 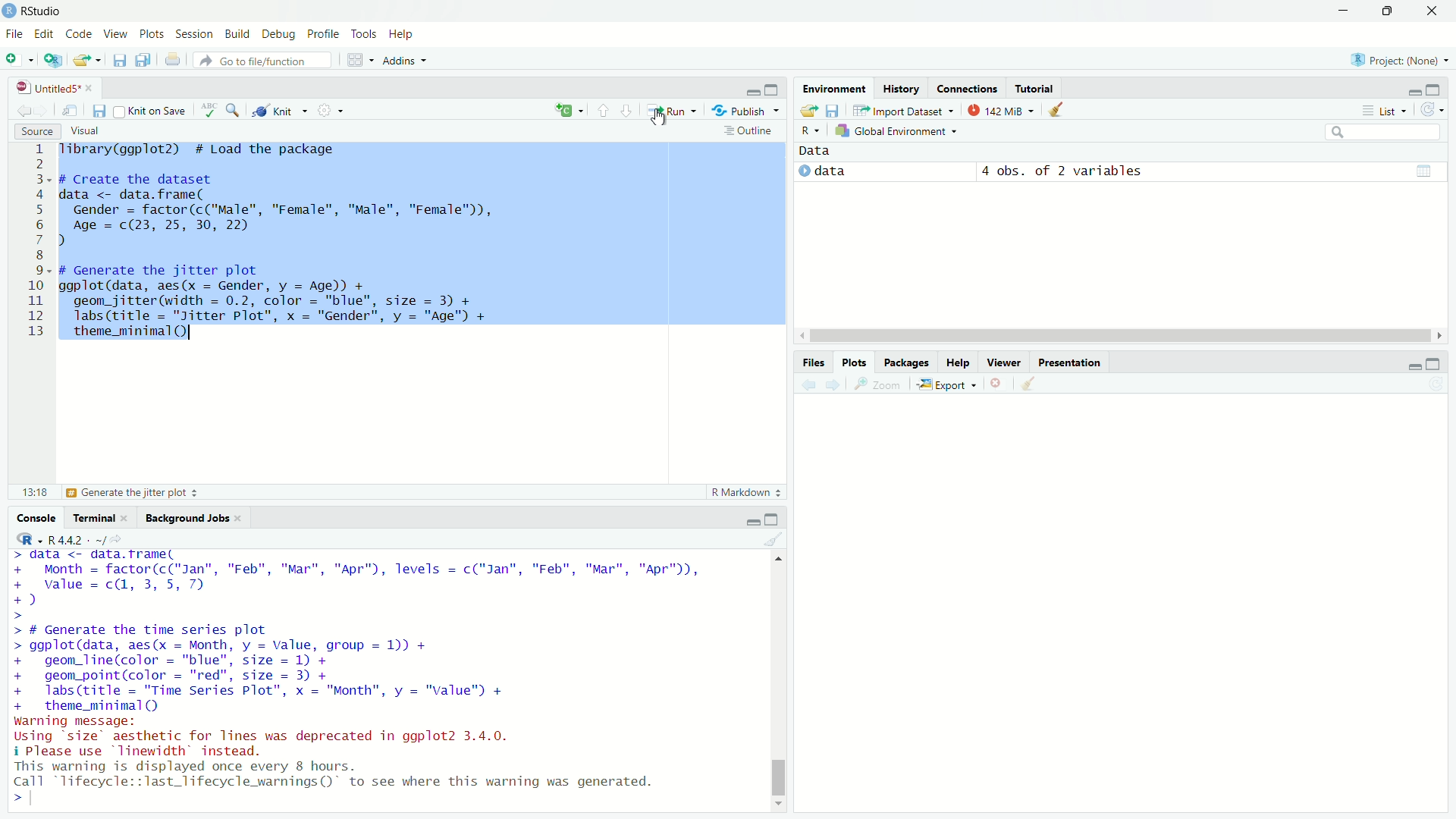 I want to click on packages, so click(x=907, y=362).